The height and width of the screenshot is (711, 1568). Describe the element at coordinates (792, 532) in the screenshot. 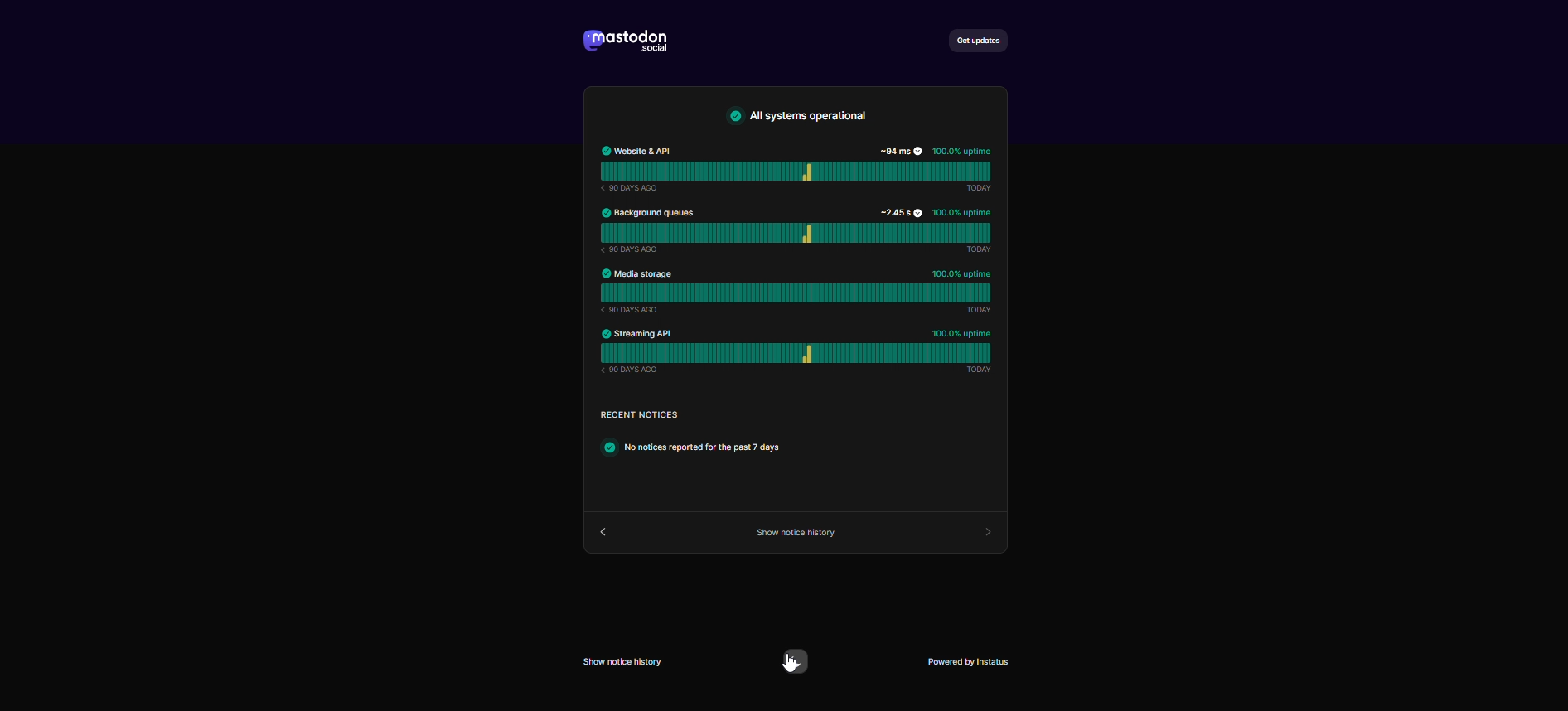

I see `show source code` at that location.